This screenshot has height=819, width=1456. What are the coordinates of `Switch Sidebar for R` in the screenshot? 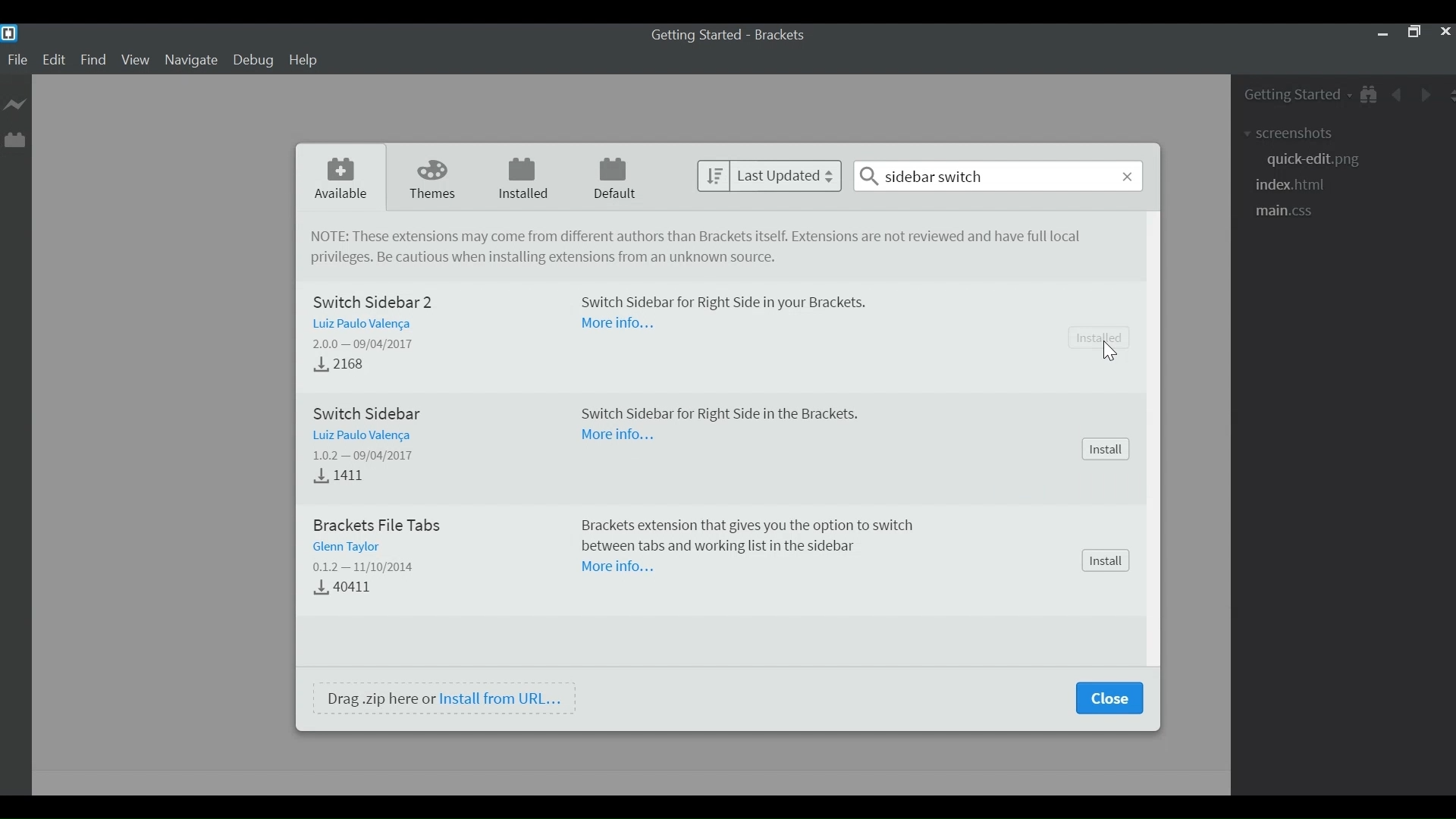 It's located at (712, 412).